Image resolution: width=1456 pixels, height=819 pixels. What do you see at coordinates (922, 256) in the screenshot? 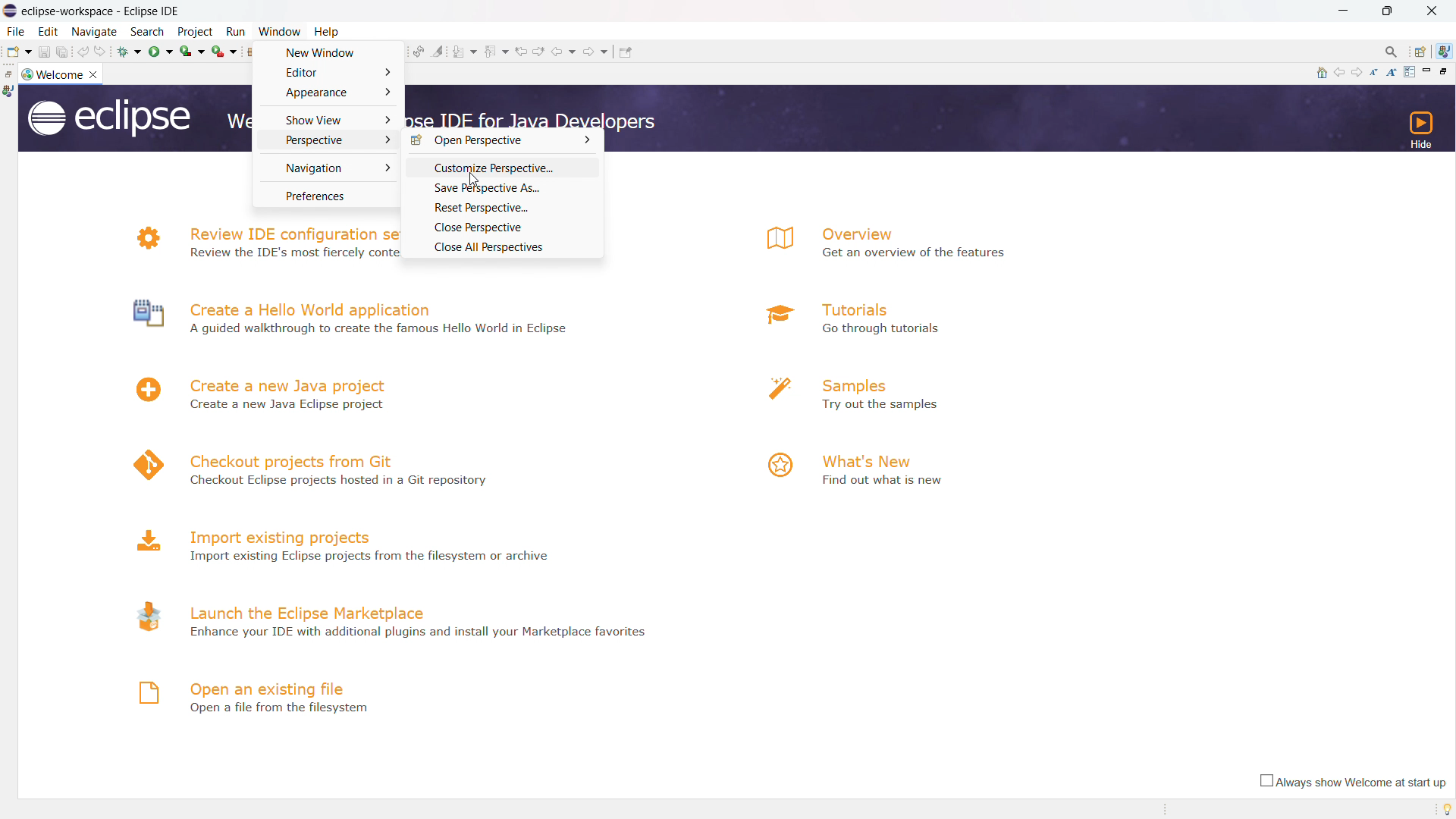
I see `Get an overview of the features` at bounding box center [922, 256].